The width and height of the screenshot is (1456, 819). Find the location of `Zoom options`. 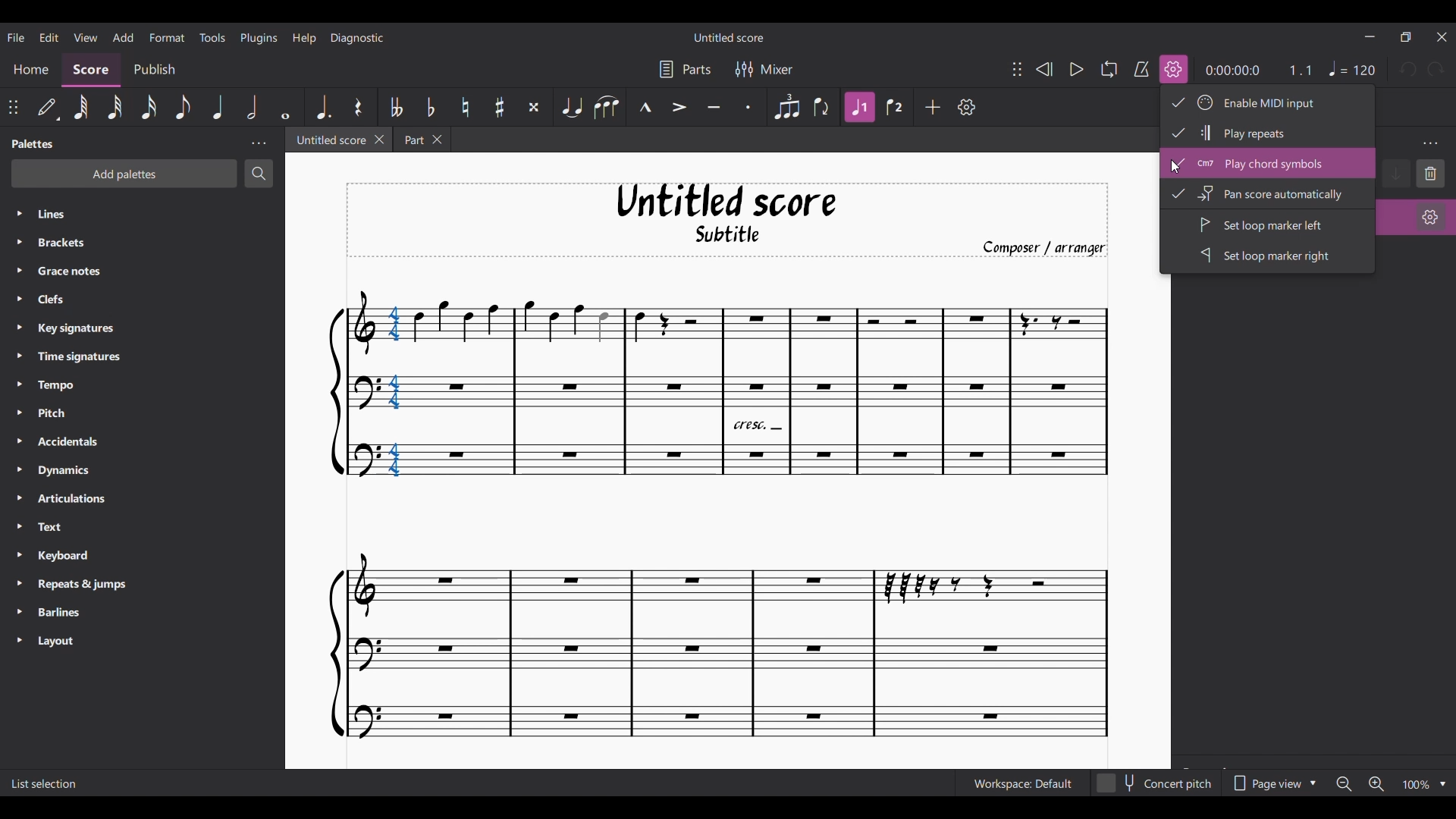

Zoom options is located at coordinates (1443, 785).